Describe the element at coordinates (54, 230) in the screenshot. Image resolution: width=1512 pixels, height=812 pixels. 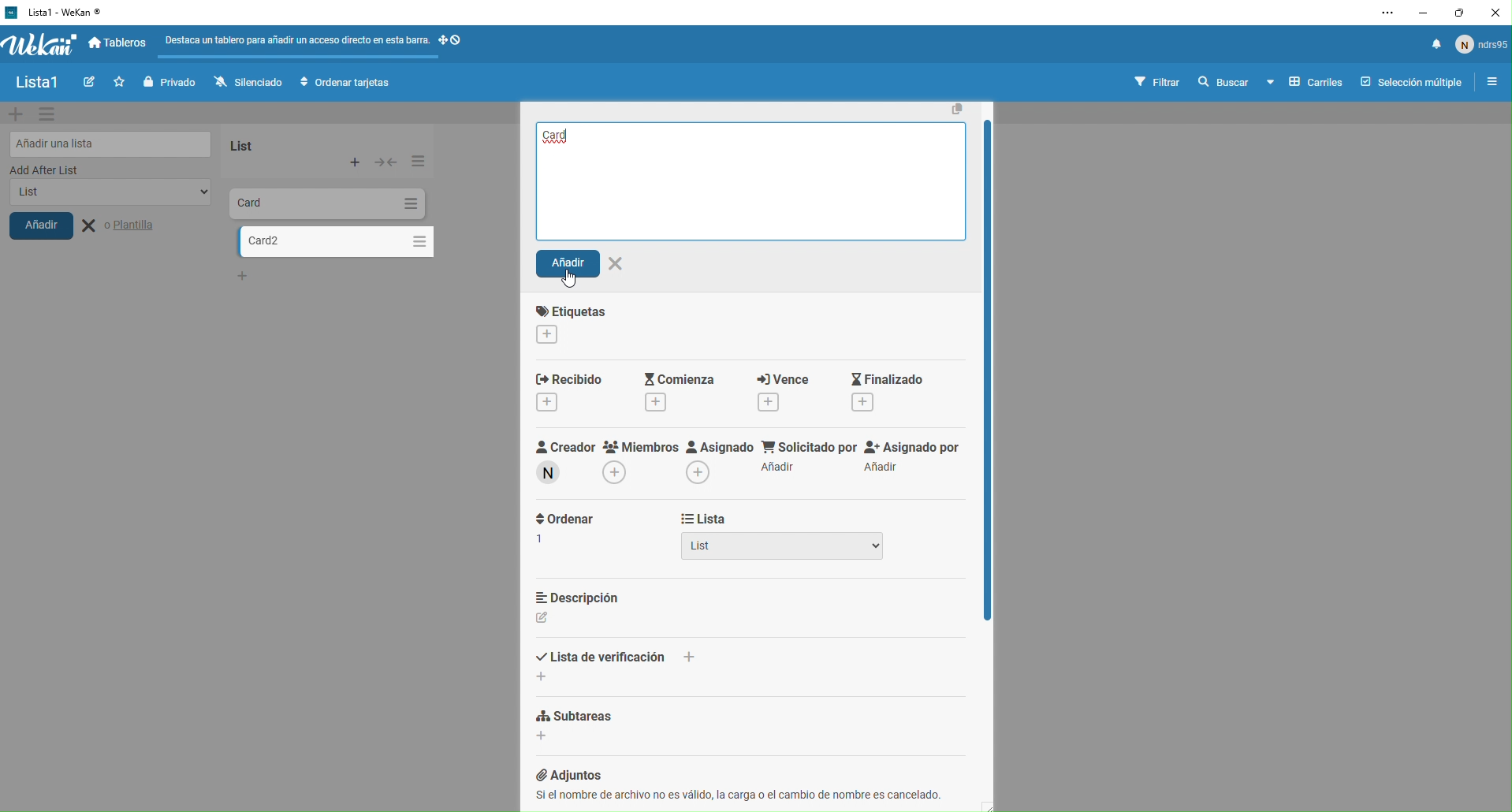
I see `añadir` at that location.